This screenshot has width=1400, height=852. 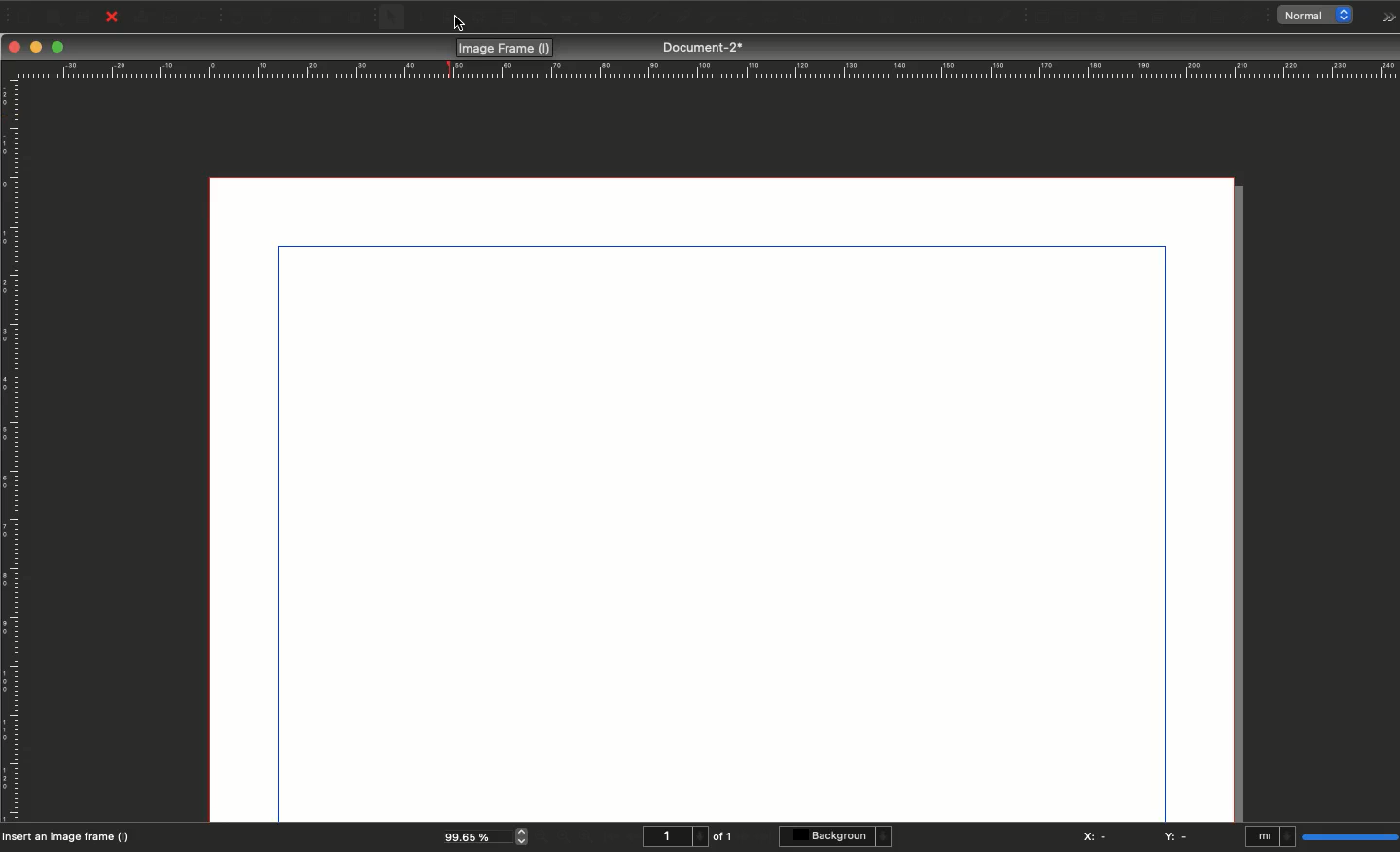 What do you see at coordinates (722, 505) in the screenshot?
I see `Canvas` at bounding box center [722, 505].